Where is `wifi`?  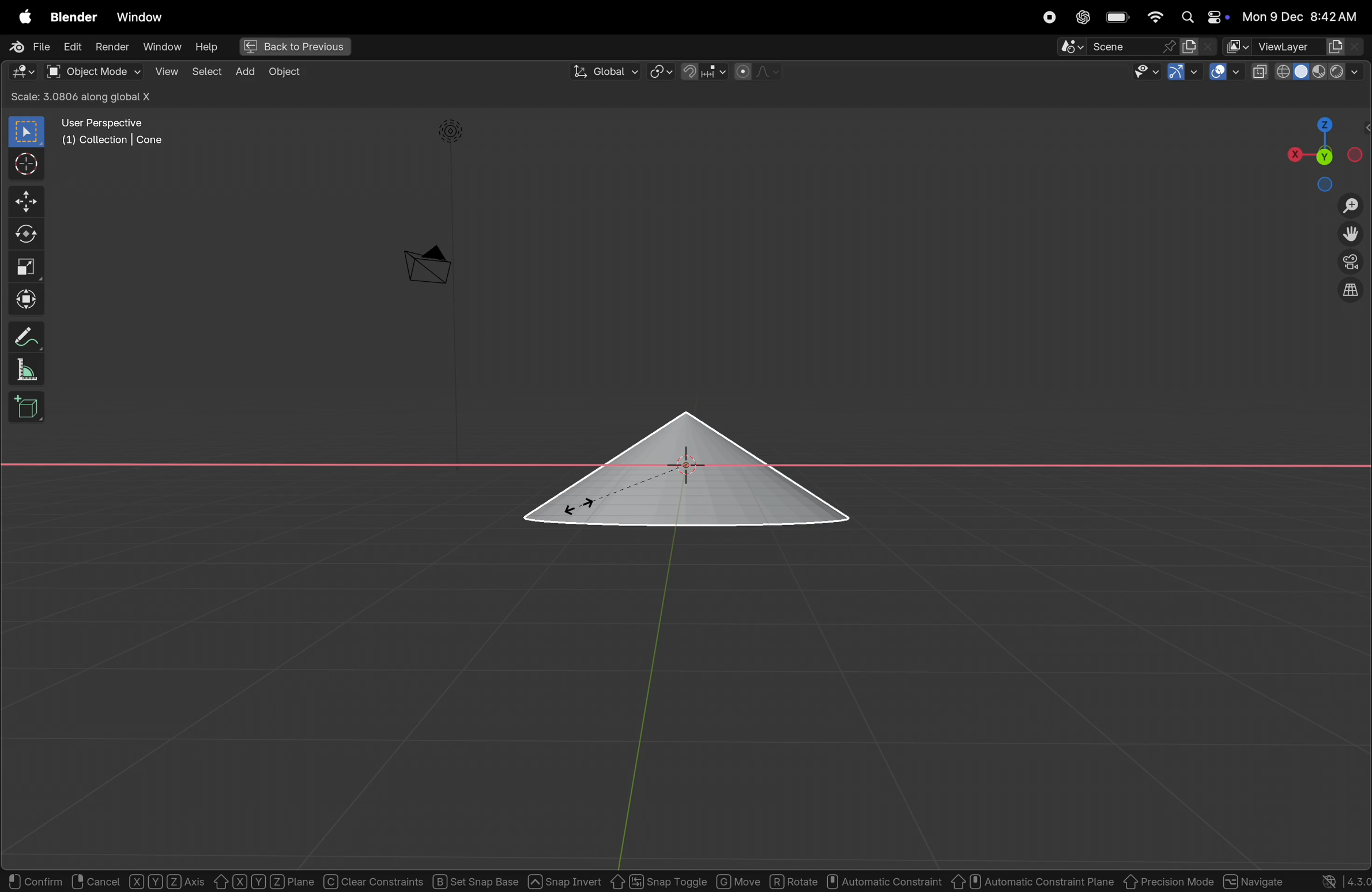
wifi is located at coordinates (1155, 17).